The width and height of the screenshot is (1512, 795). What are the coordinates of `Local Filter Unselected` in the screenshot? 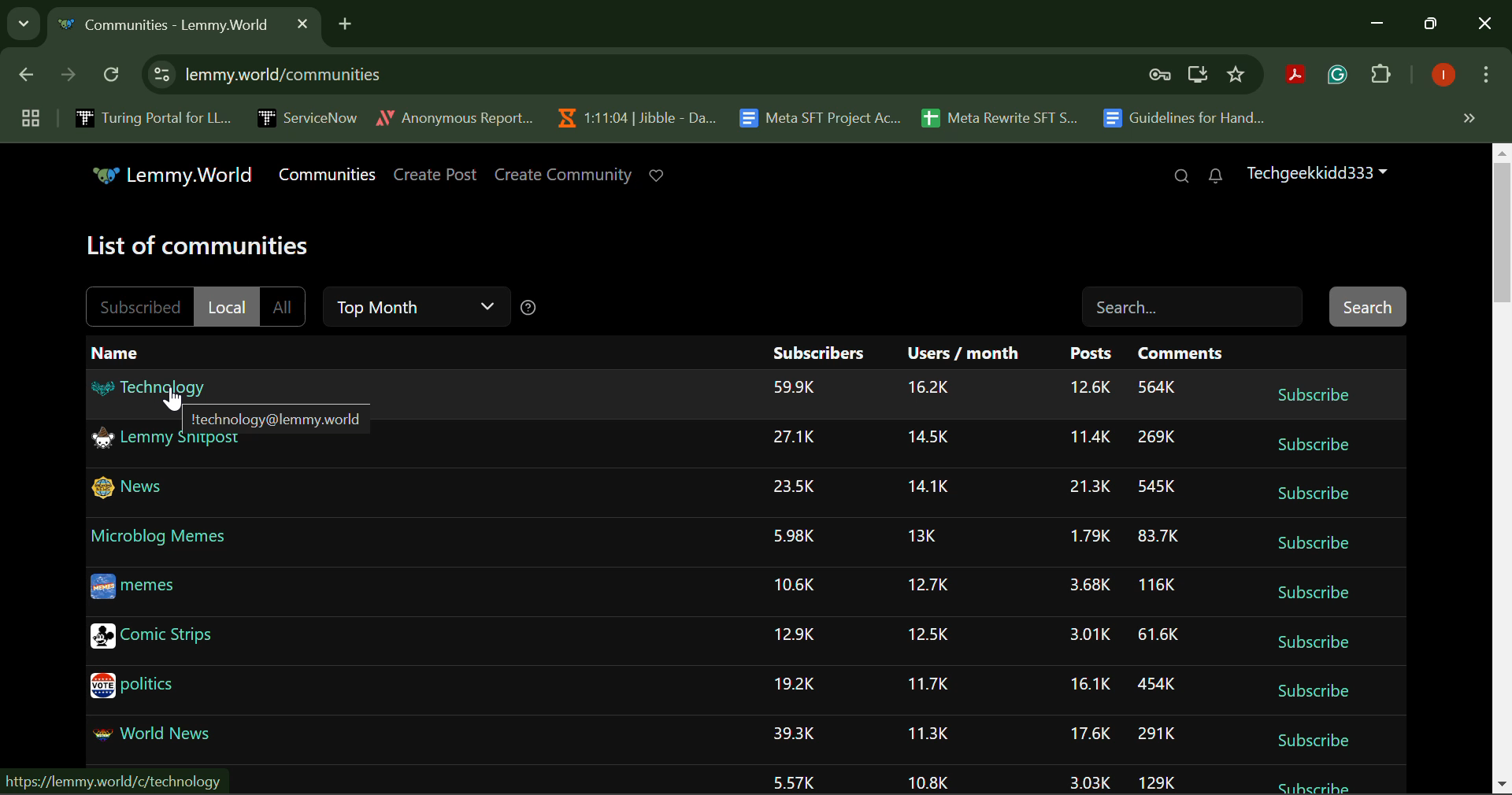 It's located at (226, 305).